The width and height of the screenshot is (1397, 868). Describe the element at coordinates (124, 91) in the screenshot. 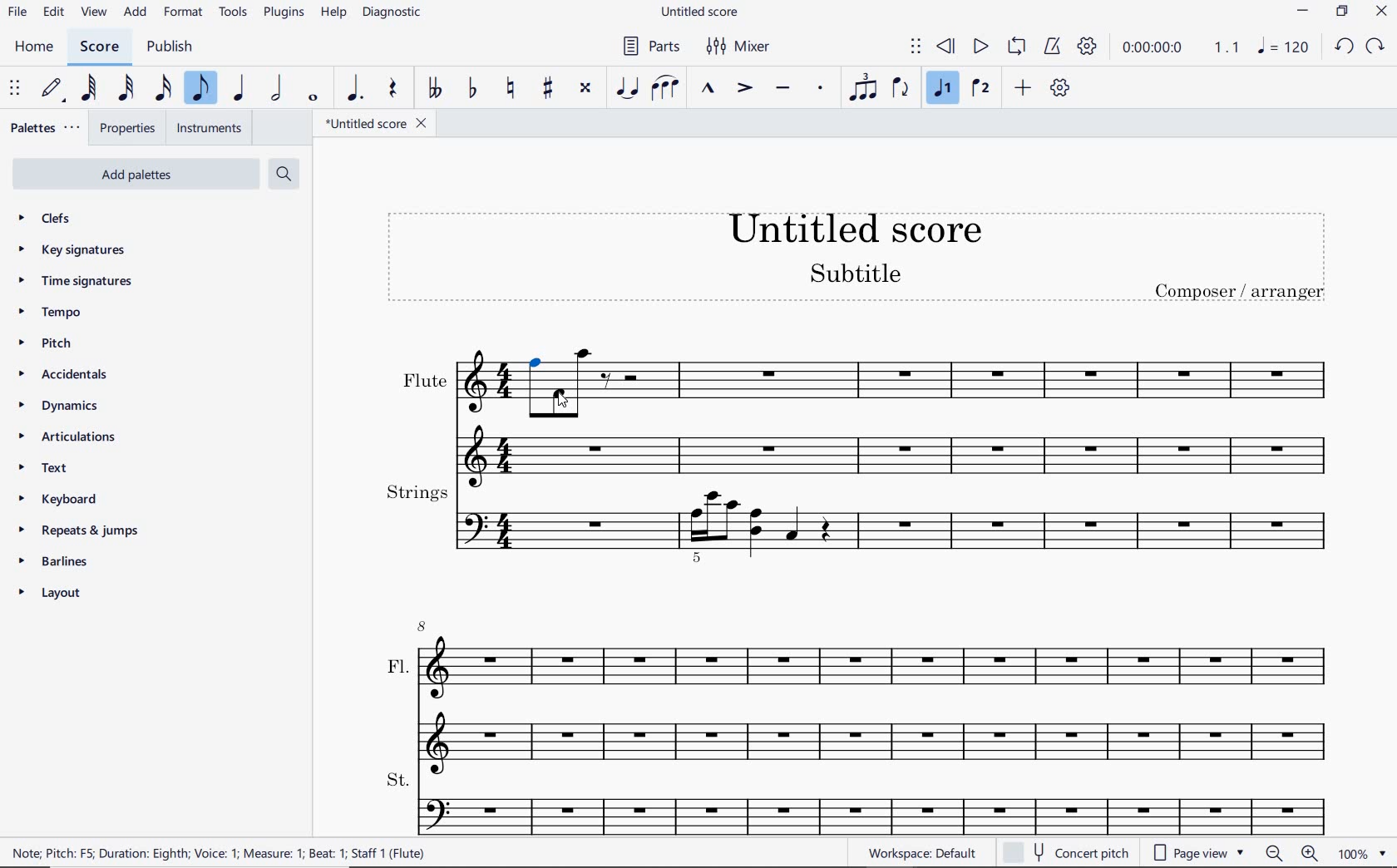

I see `32ND NOTE` at that location.